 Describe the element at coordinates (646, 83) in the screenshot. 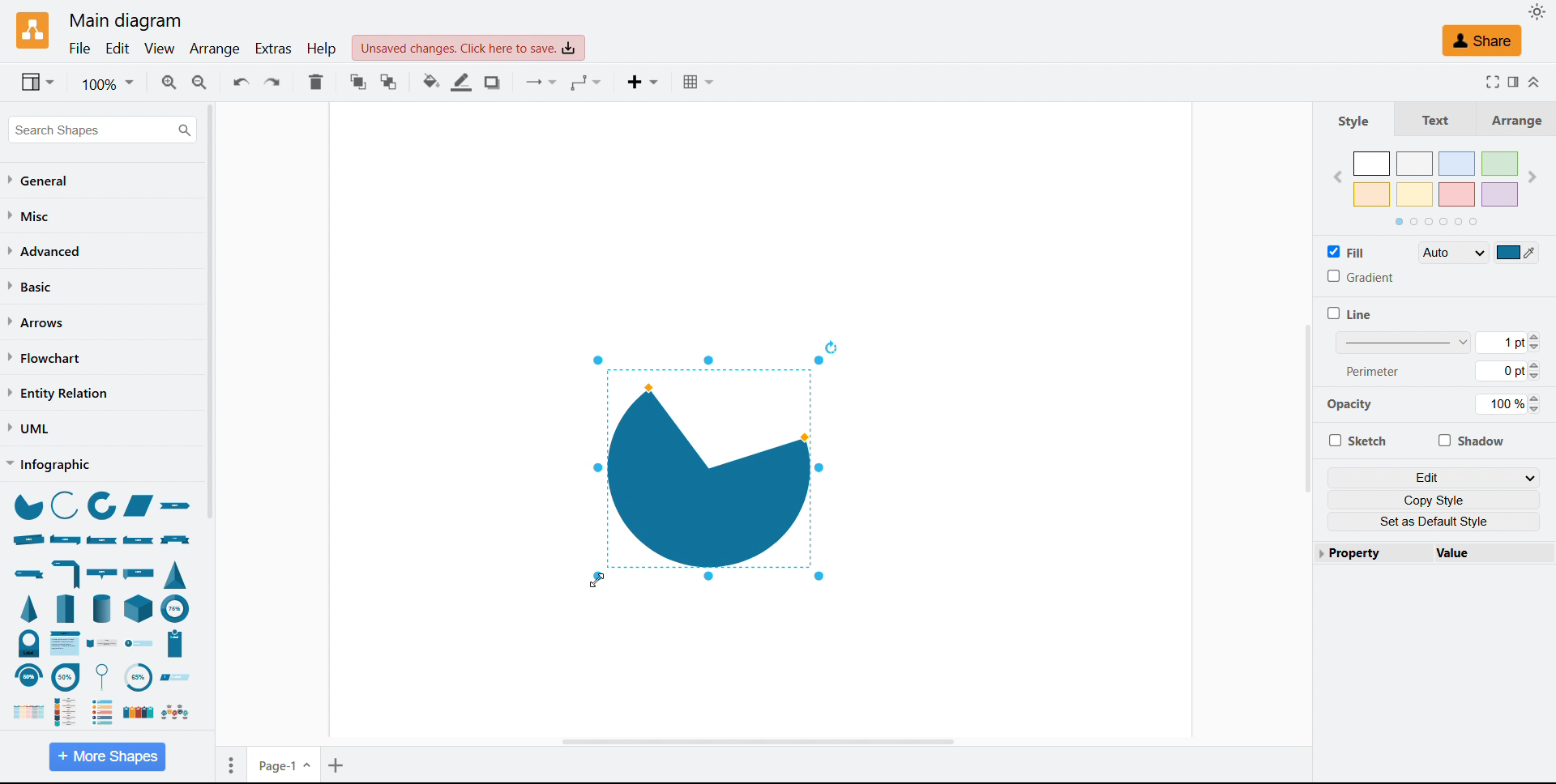

I see `Insert ` at that location.